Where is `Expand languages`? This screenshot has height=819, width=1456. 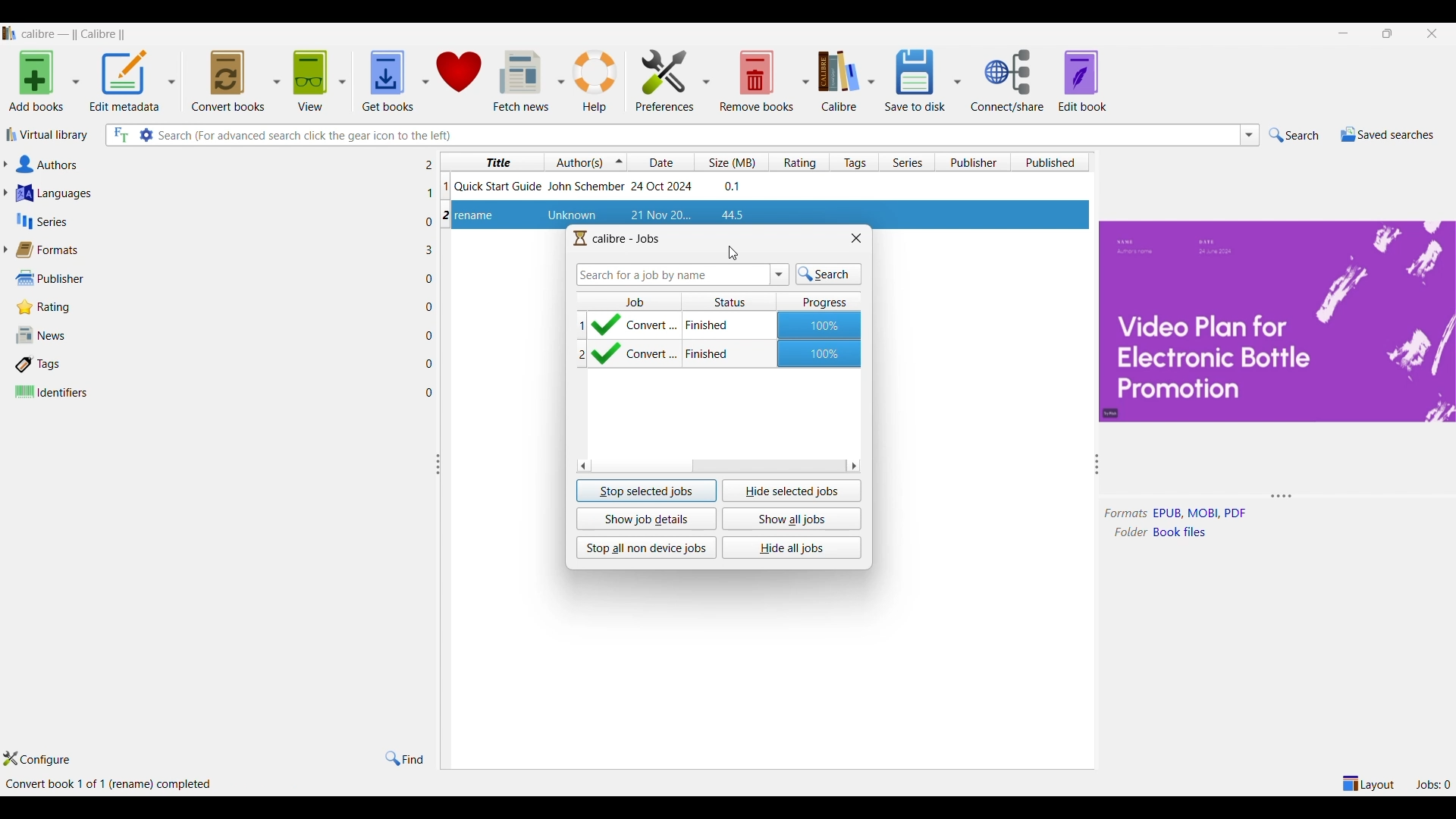
Expand languages is located at coordinates (5, 193).